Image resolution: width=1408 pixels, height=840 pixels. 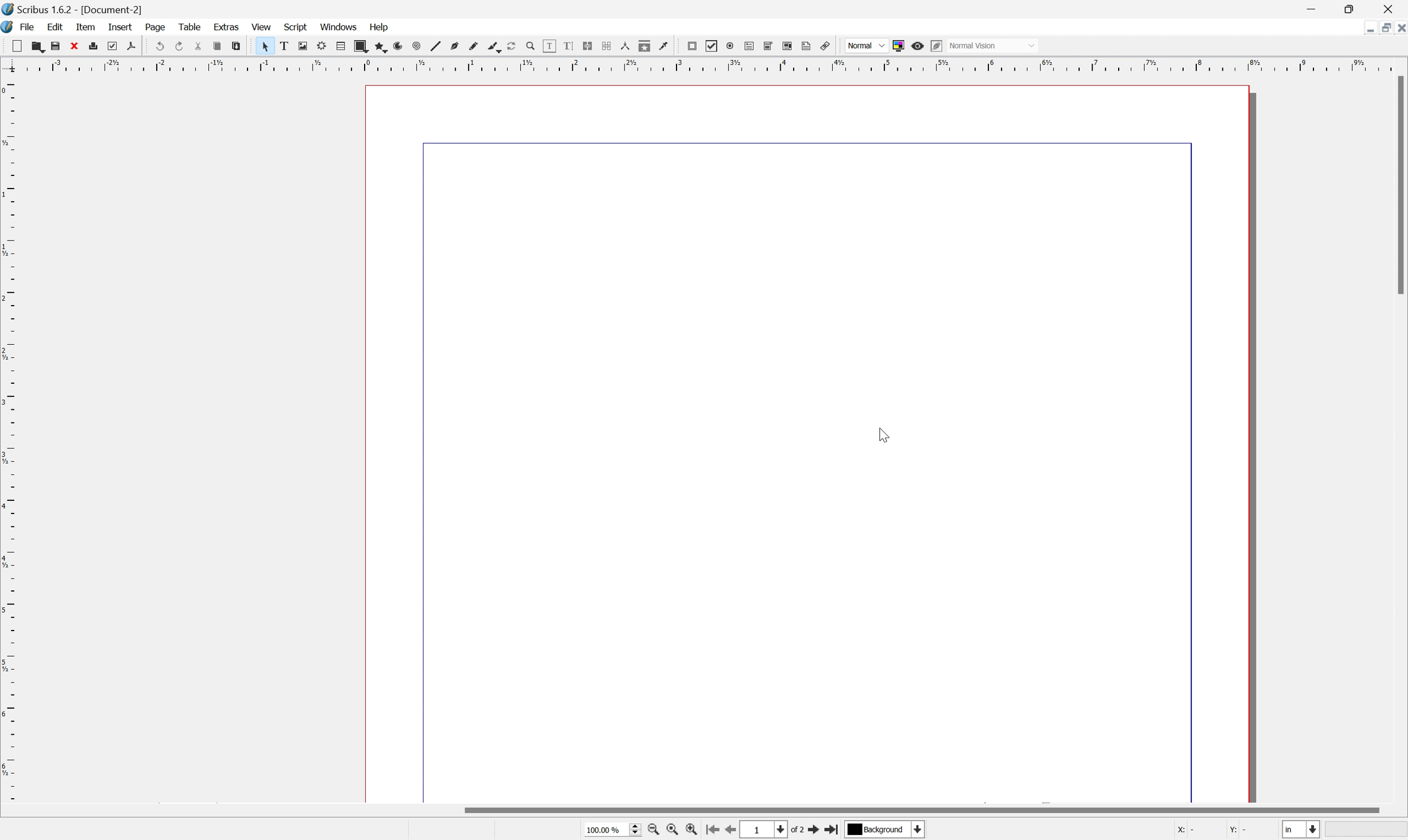 What do you see at coordinates (338, 46) in the screenshot?
I see `Table` at bounding box center [338, 46].